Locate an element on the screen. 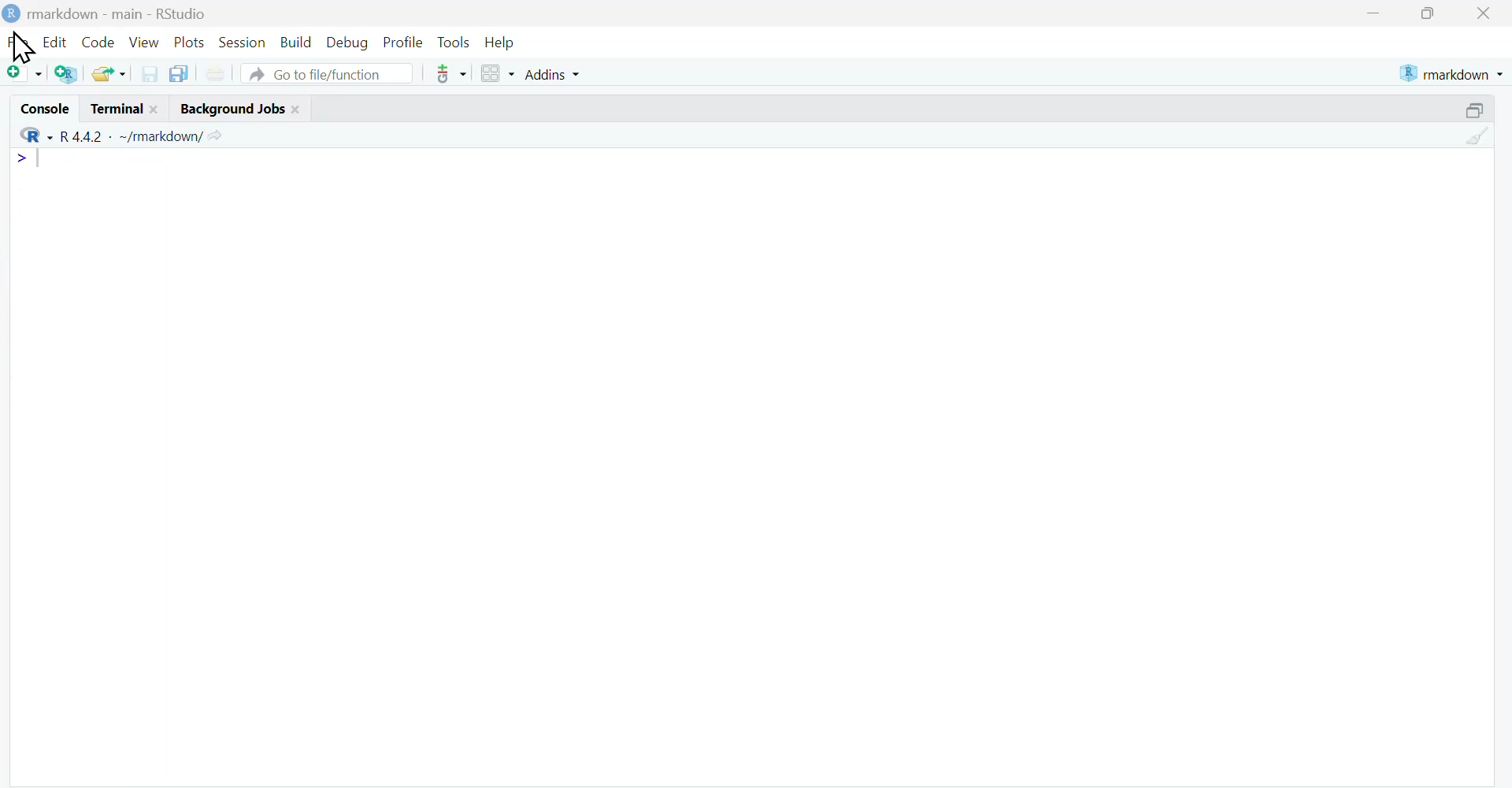 The image size is (1512, 788). Console is located at coordinates (43, 107).